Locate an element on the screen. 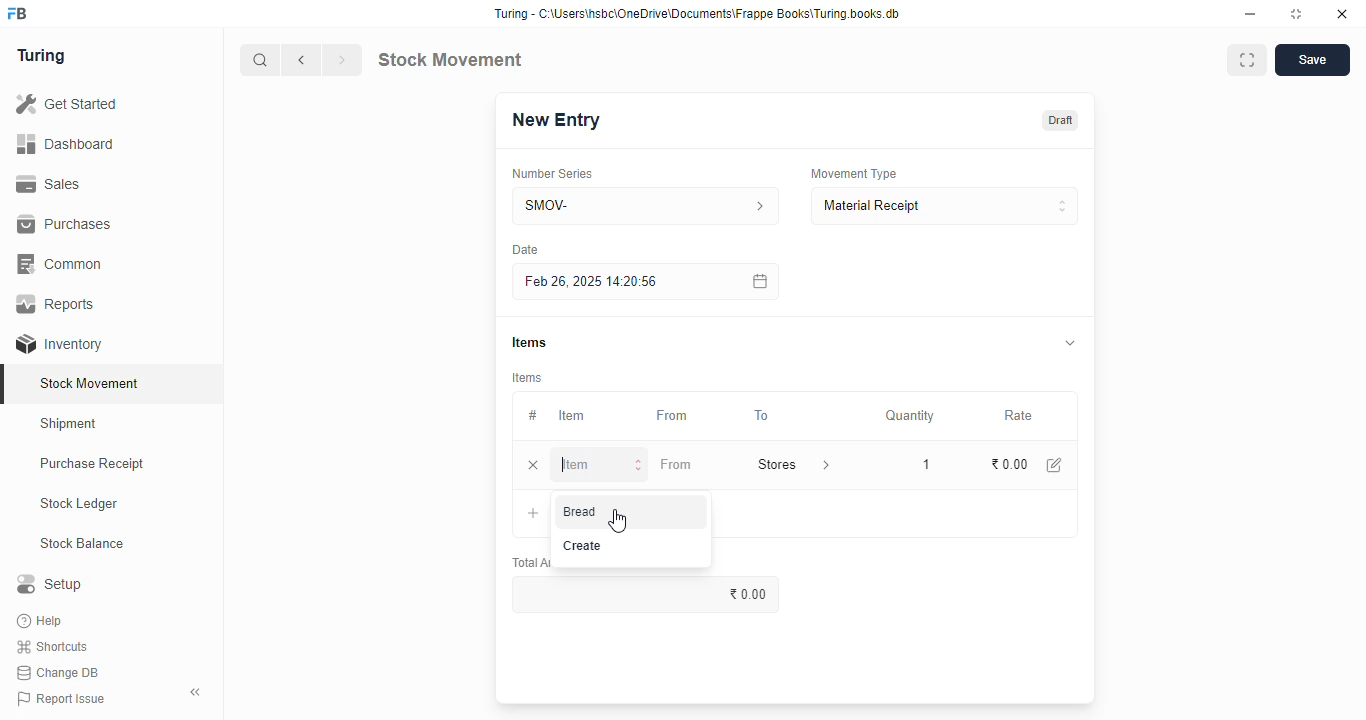 The width and height of the screenshot is (1366, 720). from is located at coordinates (673, 416).